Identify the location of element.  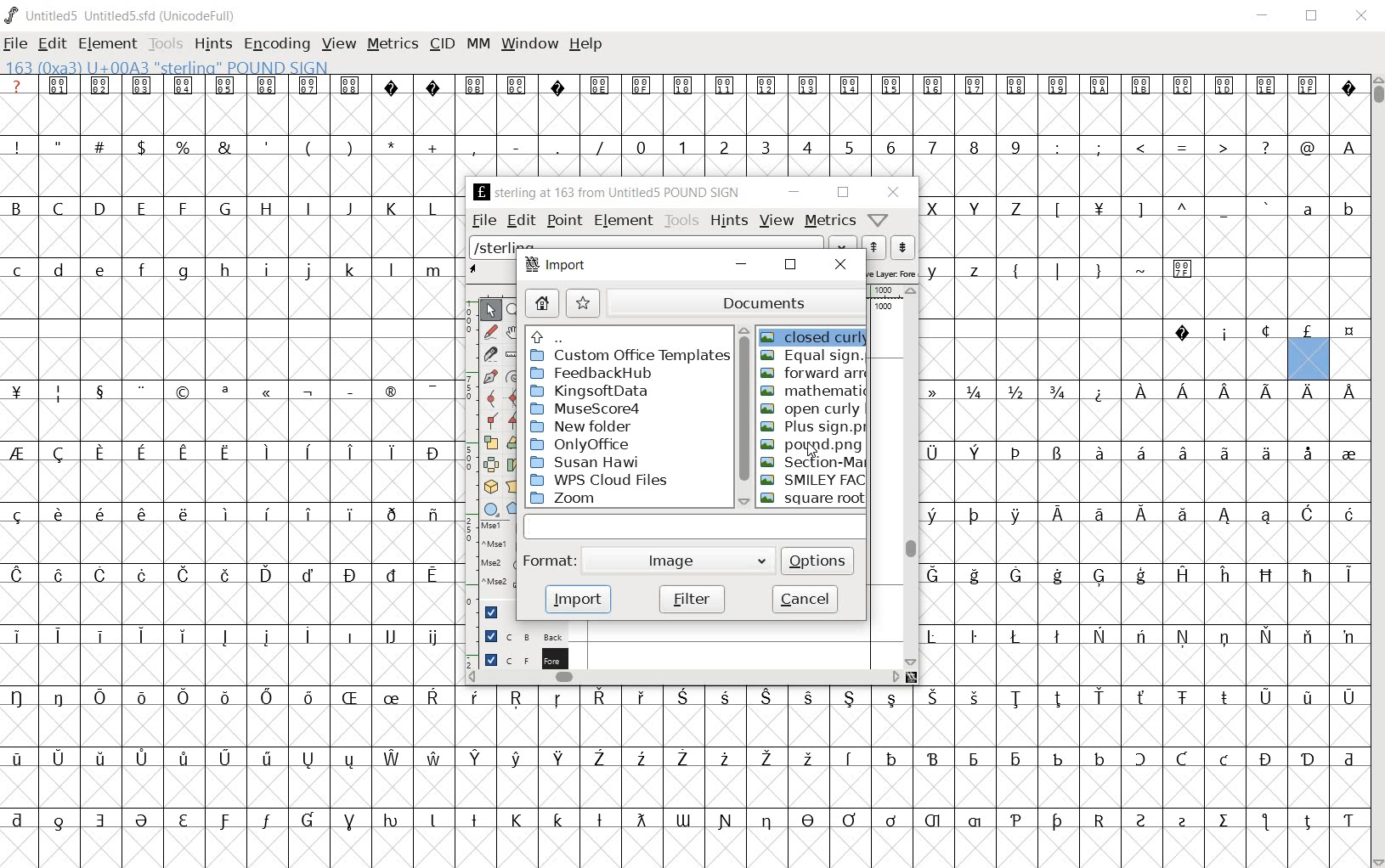
(109, 44).